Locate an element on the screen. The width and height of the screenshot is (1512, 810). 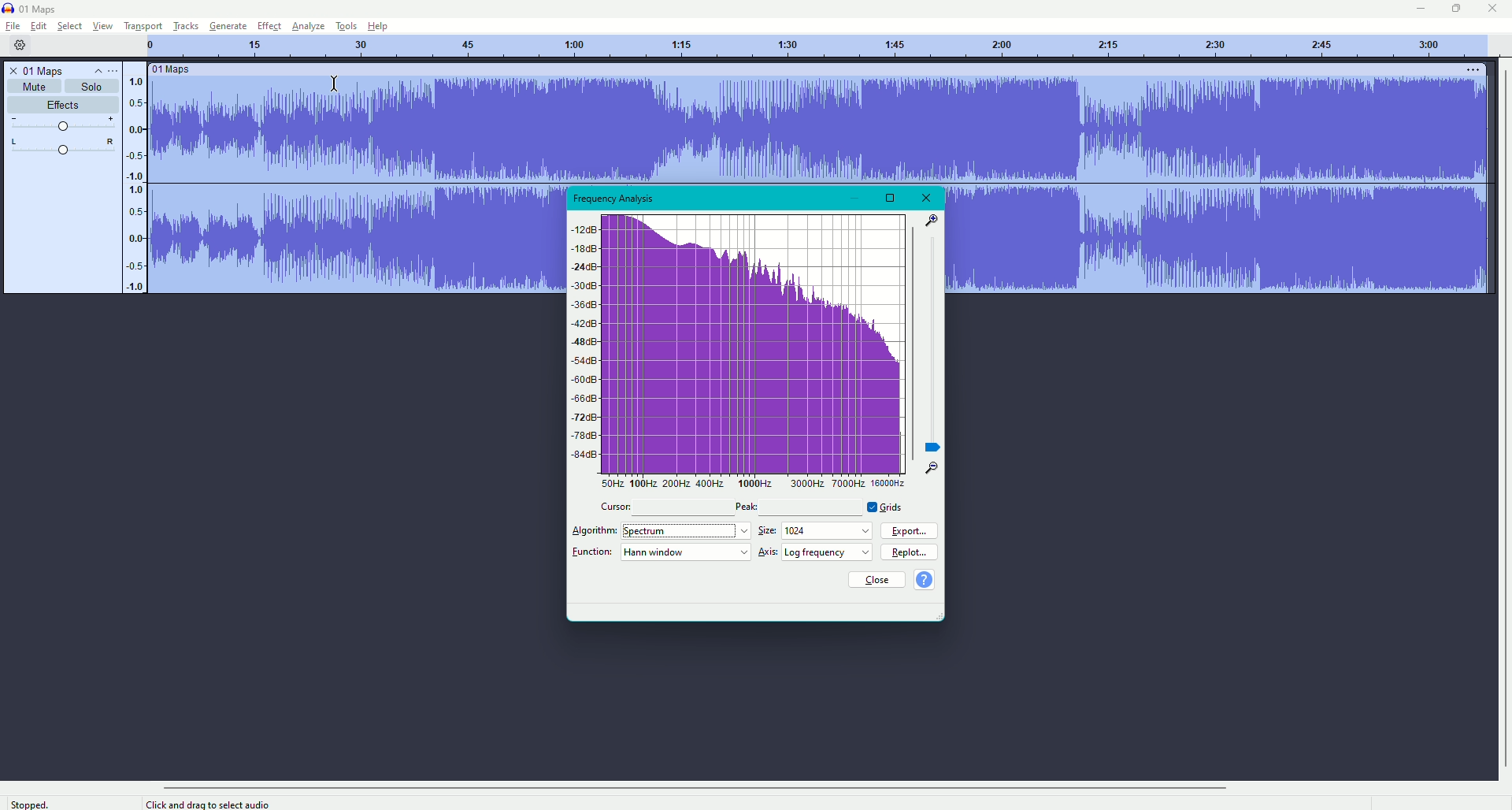
Algorithm - Spectrum is located at coordinates (661, 529).